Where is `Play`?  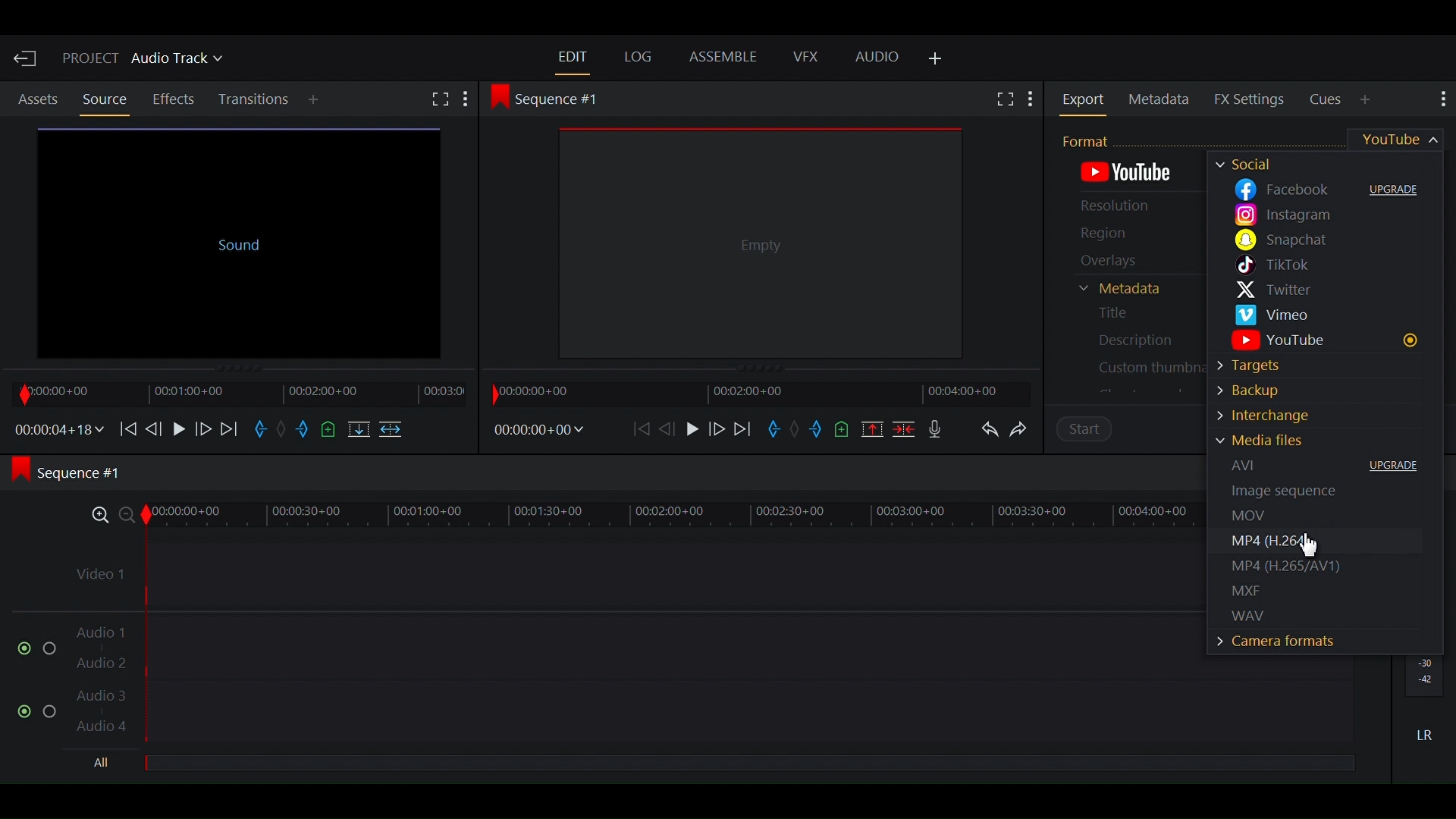
Play is located at coordinates (178, 428).